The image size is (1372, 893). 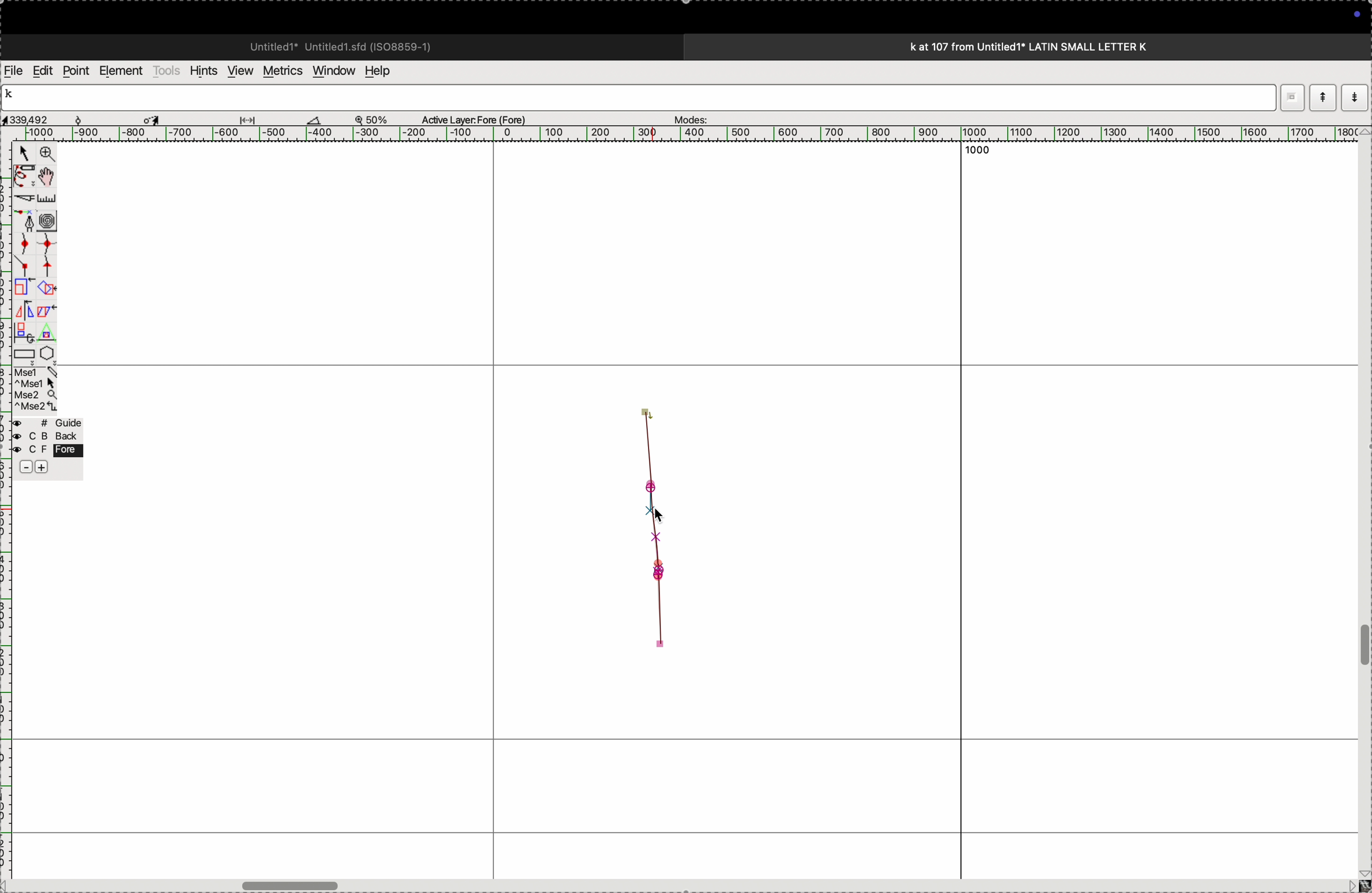 What do you see at coordinates (76, 71) in the screenshot?
I see `point` at bounding box center [76, 71].